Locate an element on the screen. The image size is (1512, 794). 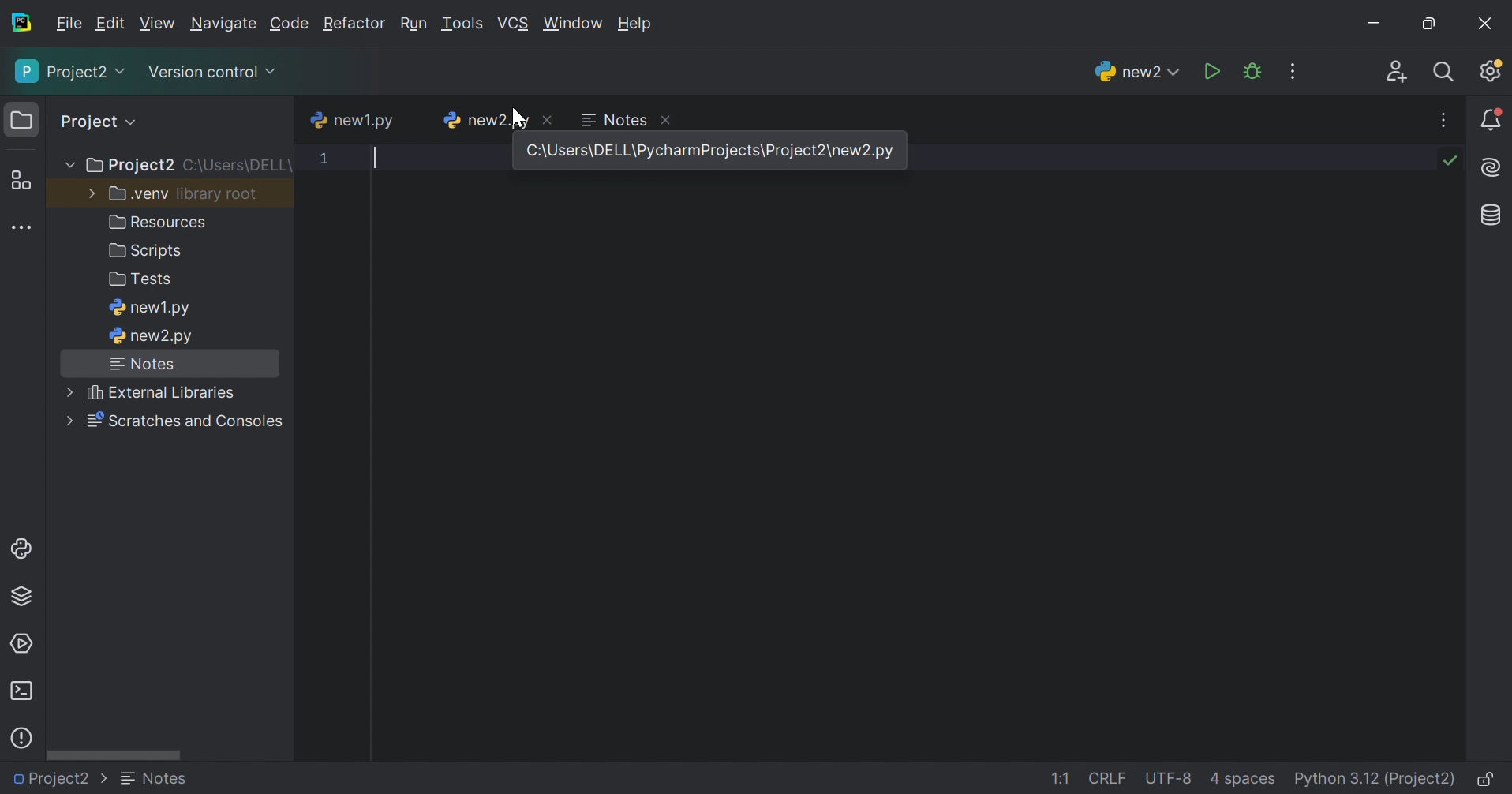
Close is located at coordinates (671, 122).